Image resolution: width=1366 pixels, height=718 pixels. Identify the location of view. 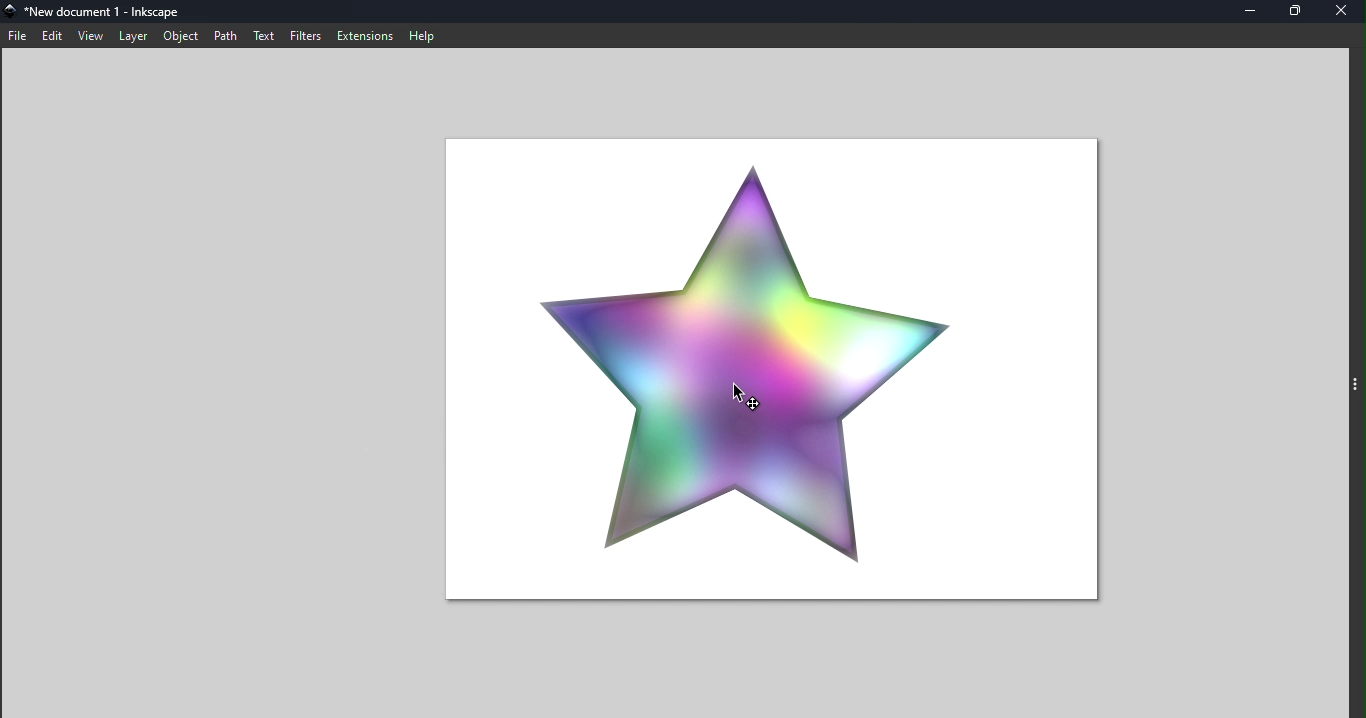
(89, 35).